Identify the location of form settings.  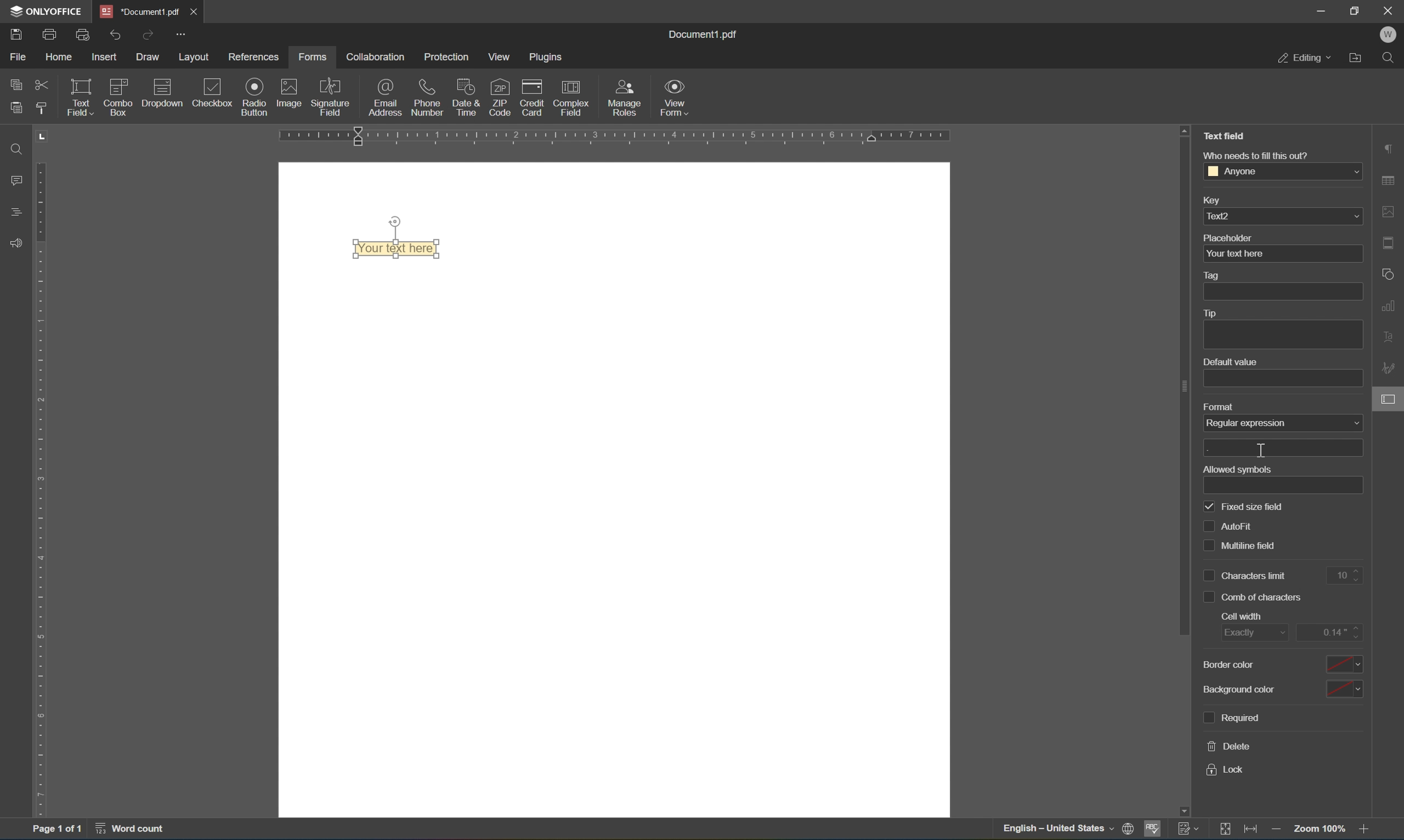
(1388, 398).